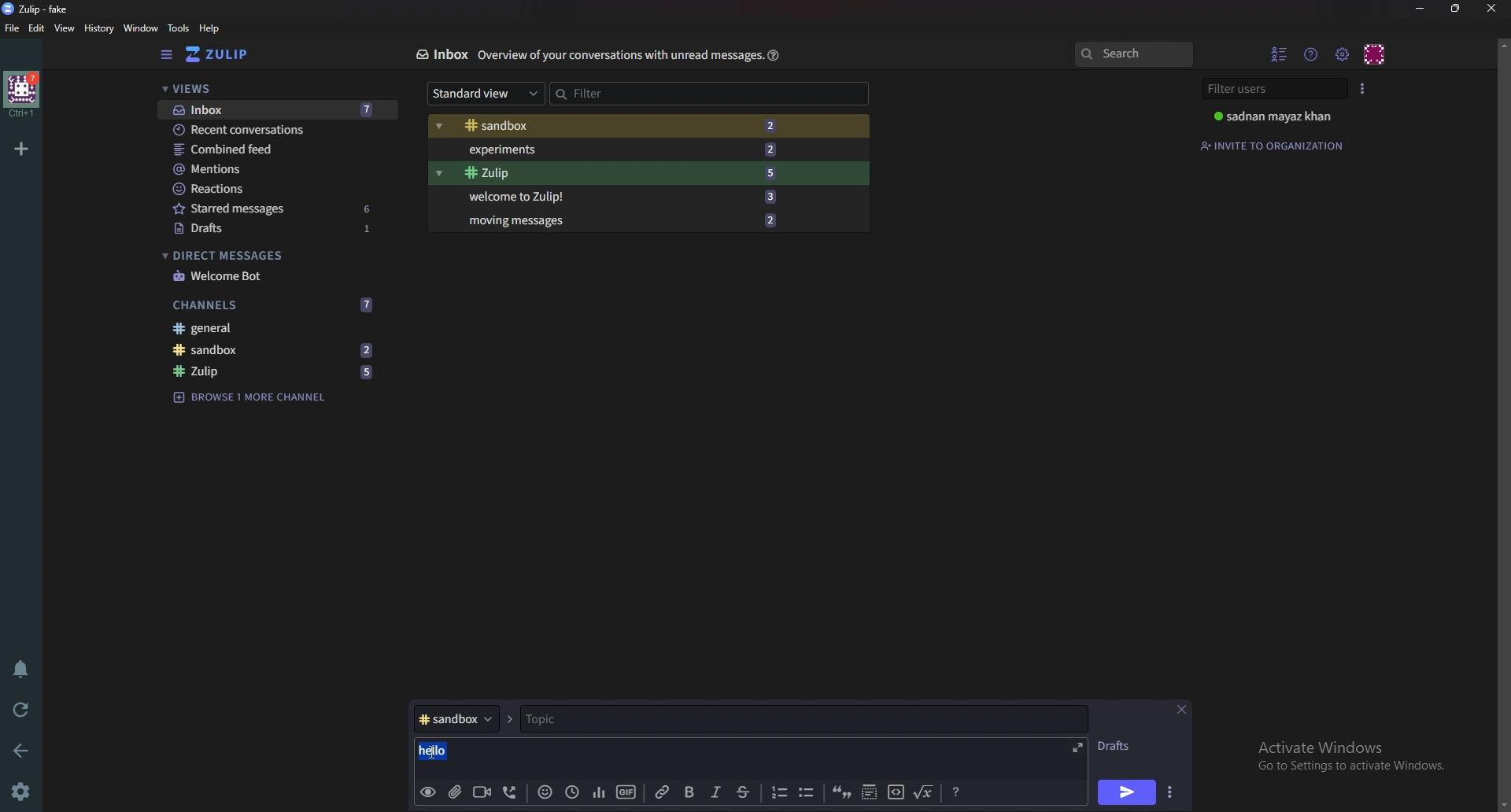 The width and height of the screenshot is (1511, 812). Describe the element at coordinates (840, 792) in the screenshot. I see `quote` at that location.